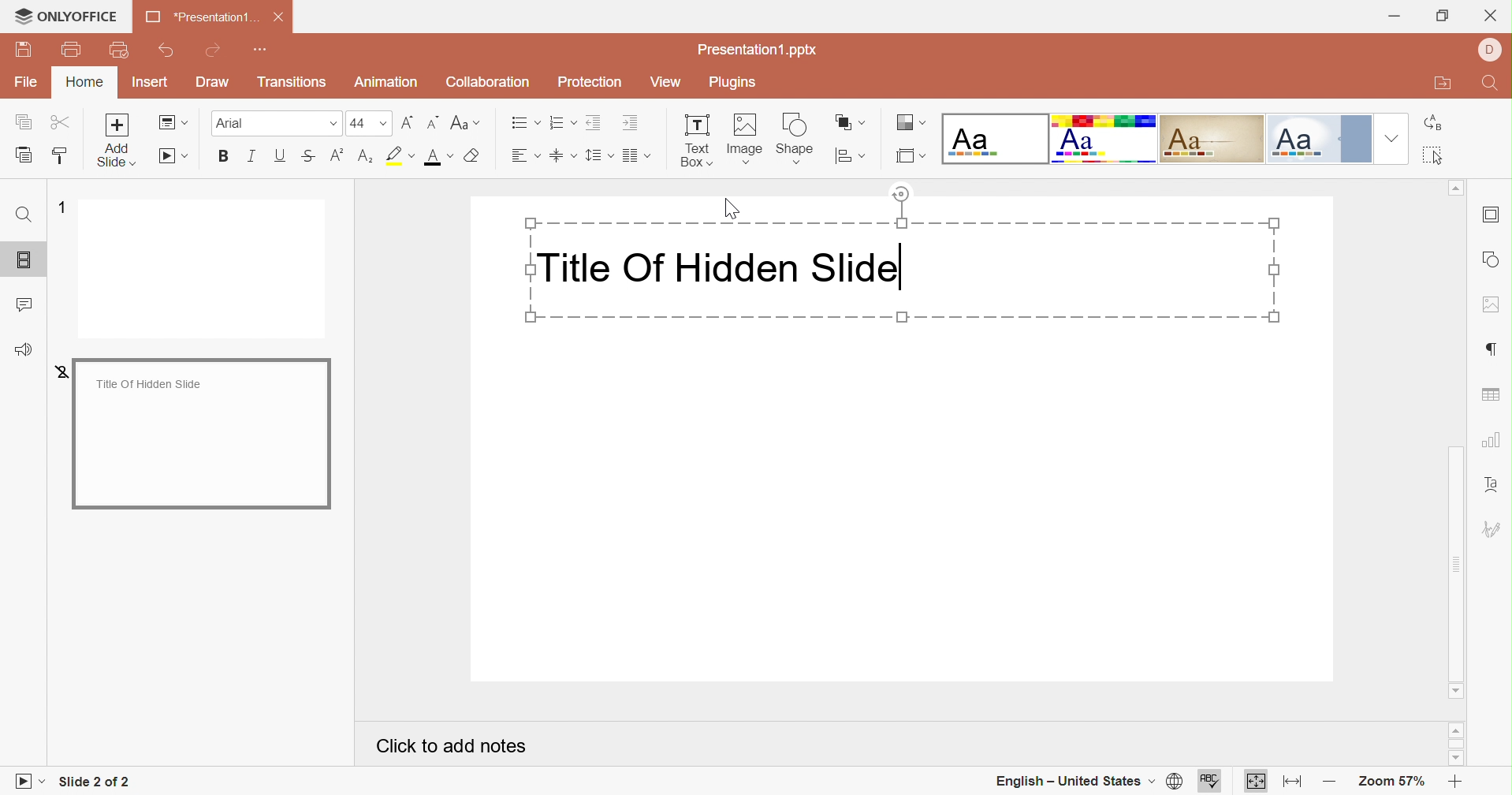  I want to click on Decrease indent, so click(594, 121).